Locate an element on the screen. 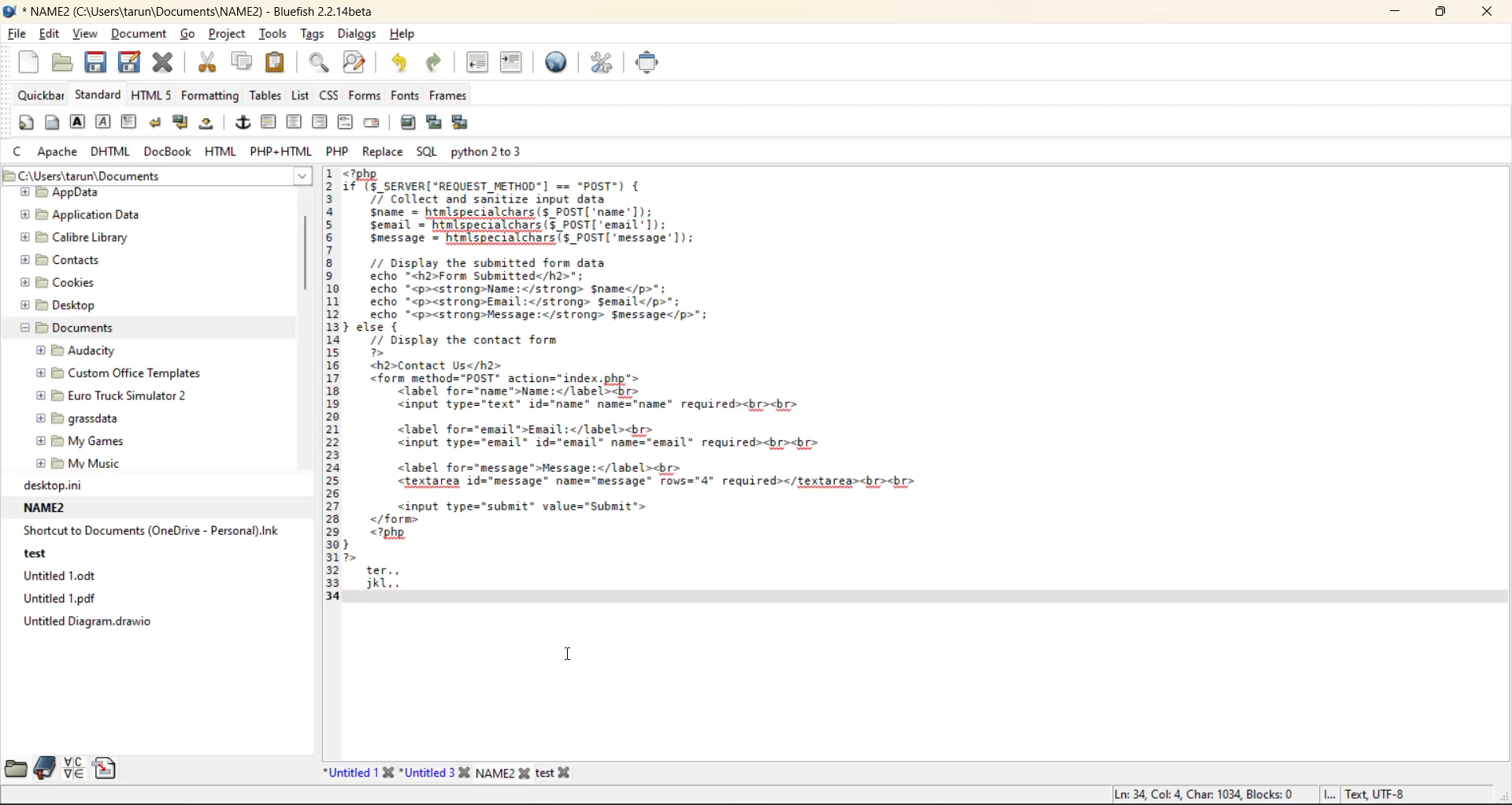 Image resolution: width=1512 pixels, height=805 pixels. Ln: 34, Col: 4 Char: 1034, Blocks: 0 is located at coordinates (1195, 791).